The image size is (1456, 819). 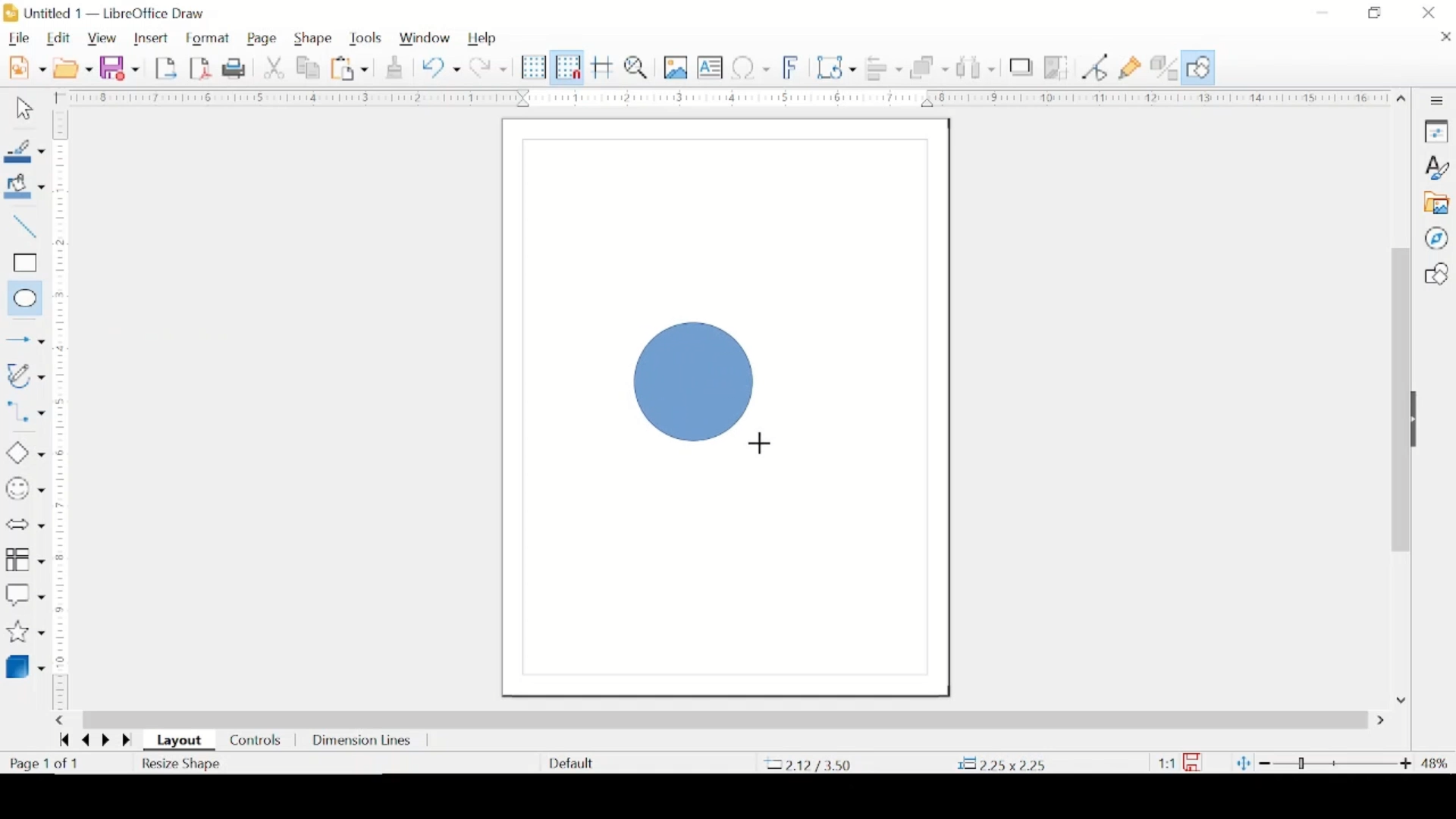 I want to click on cursor, so click(x=766, y=443).